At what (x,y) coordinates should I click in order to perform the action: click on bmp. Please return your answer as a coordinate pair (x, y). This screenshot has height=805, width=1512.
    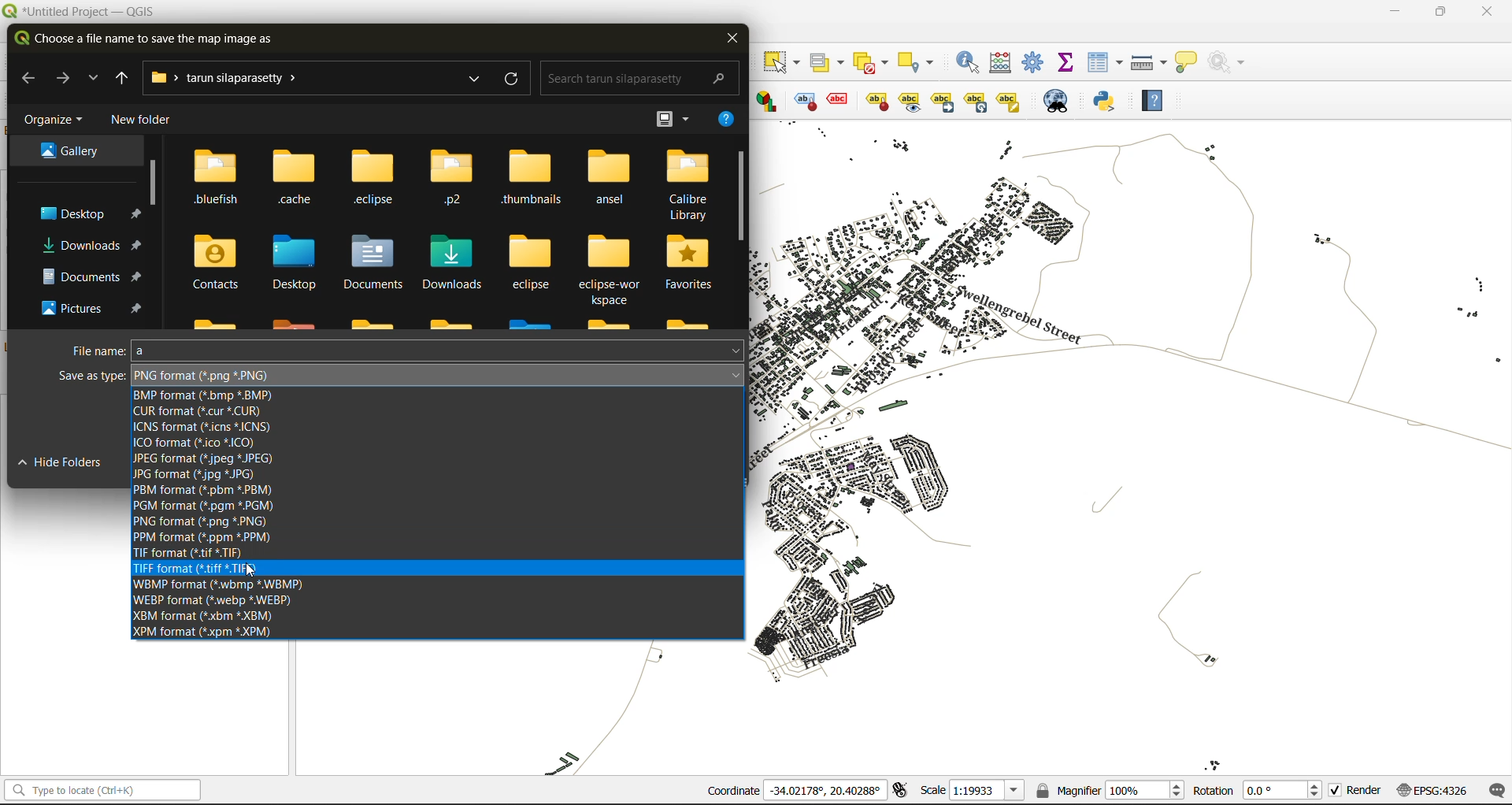
    Looking at the image, I should click on (207, 397).